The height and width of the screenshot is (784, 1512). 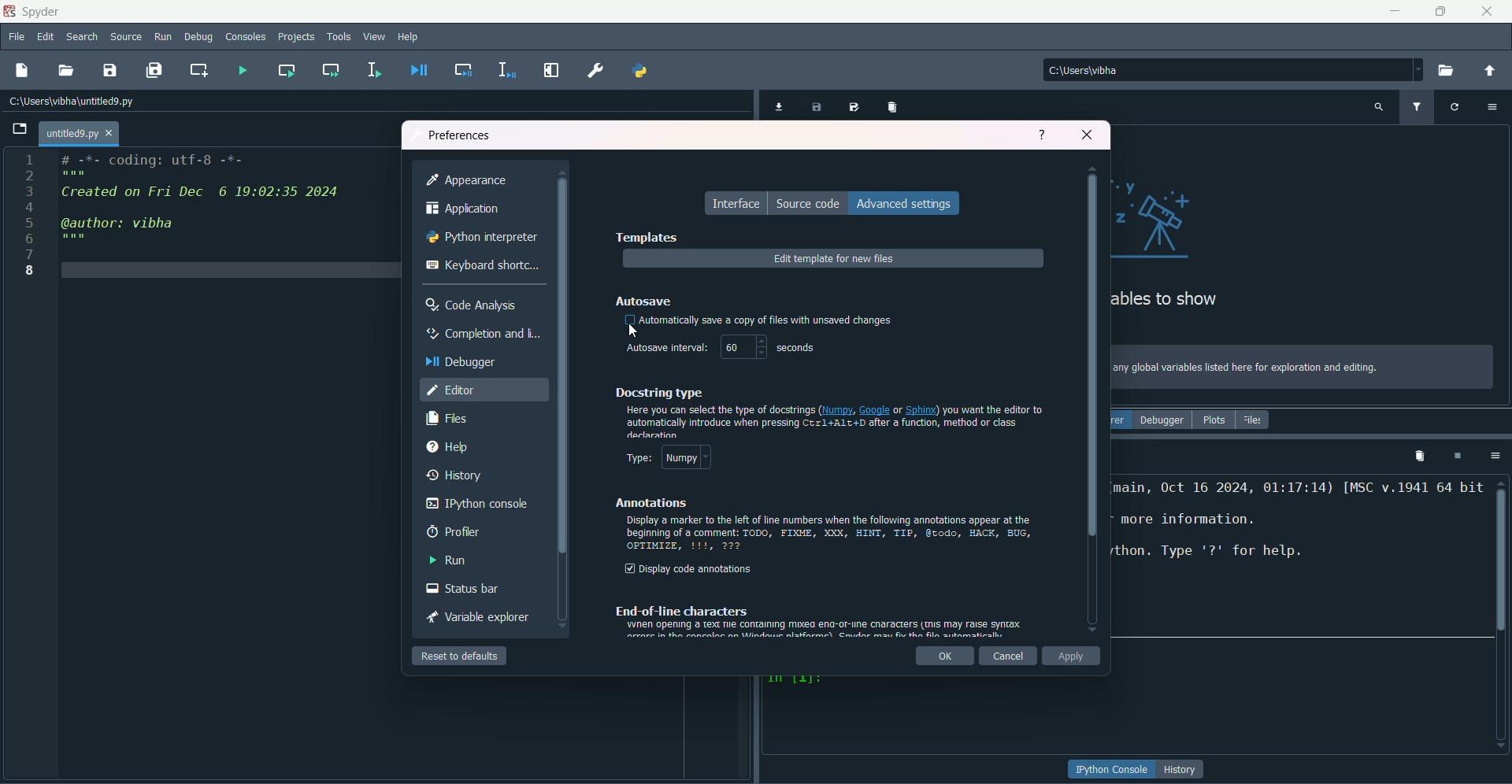 What do you see at coordinates (658, 392) in the screenshot?
I see `dockstring type` at bounding box center [658, 392].